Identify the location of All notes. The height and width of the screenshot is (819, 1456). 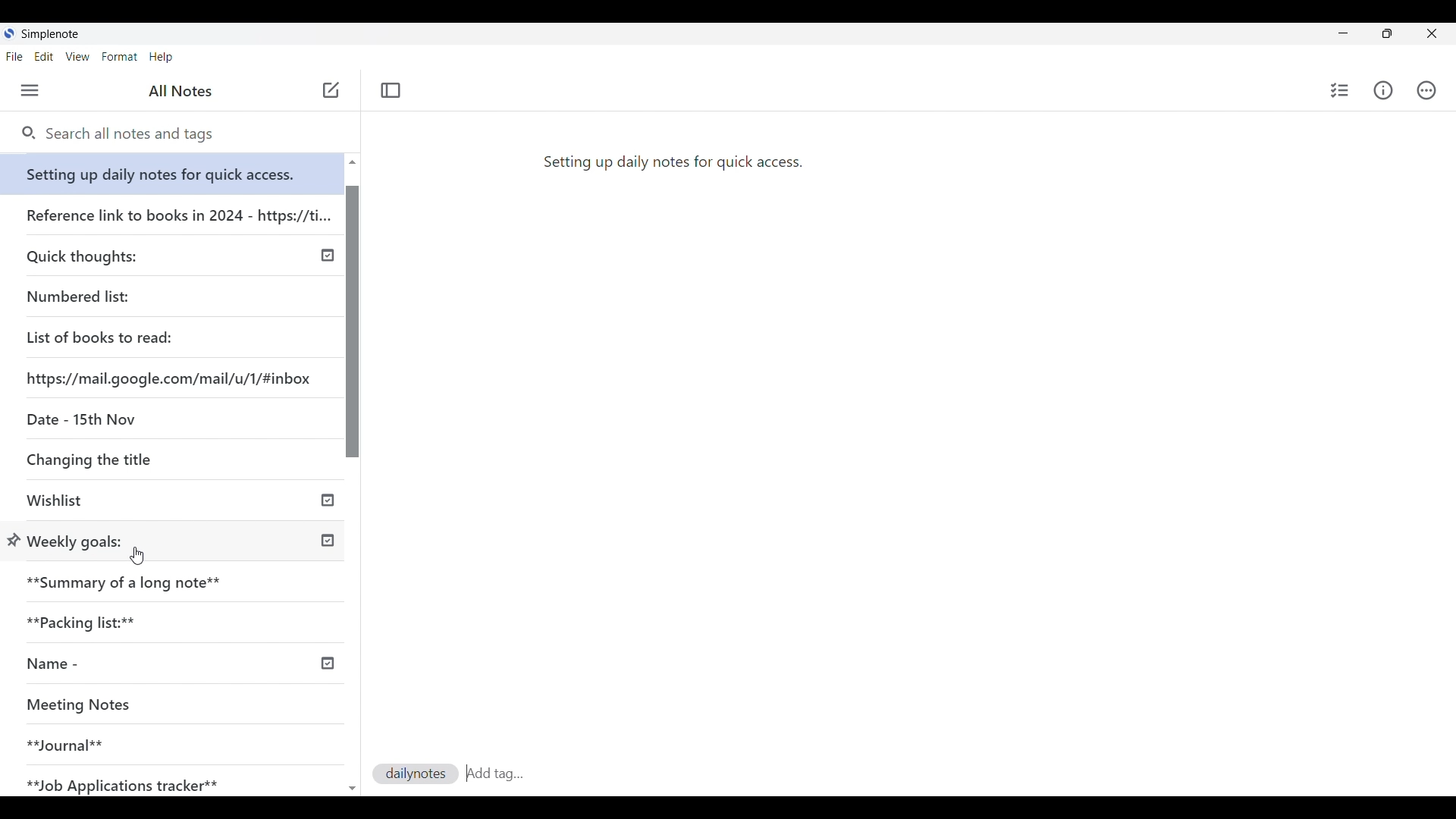
(180, 91).